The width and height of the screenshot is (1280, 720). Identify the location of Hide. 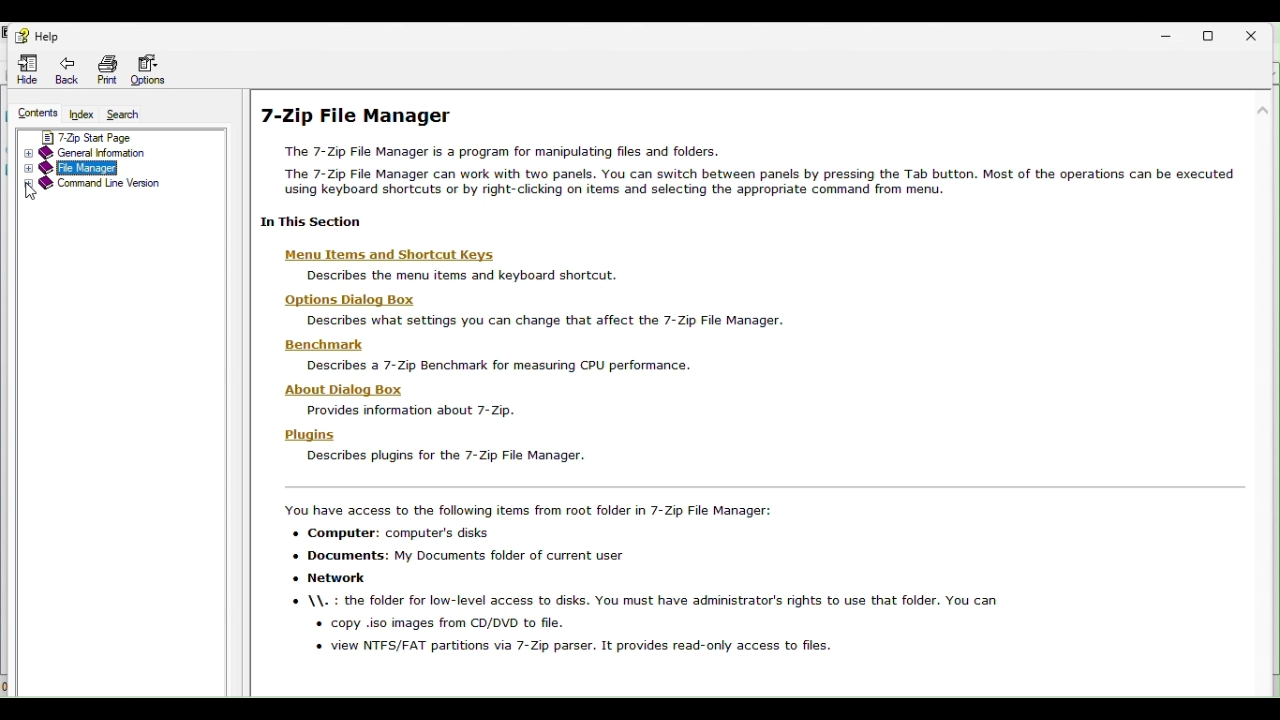
(23, 70).